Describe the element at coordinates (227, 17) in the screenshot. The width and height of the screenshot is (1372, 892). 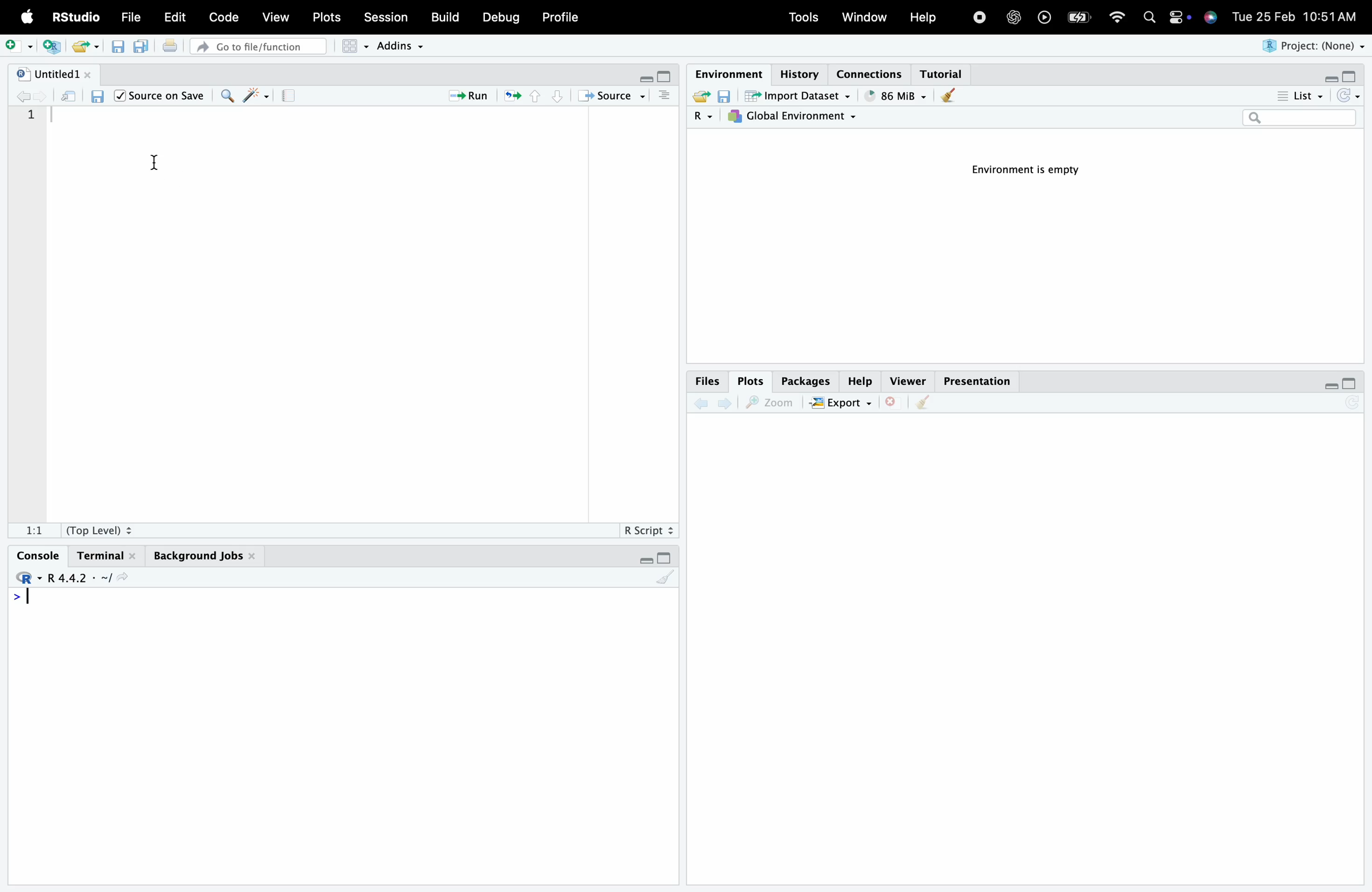
I see `Code` at that location.